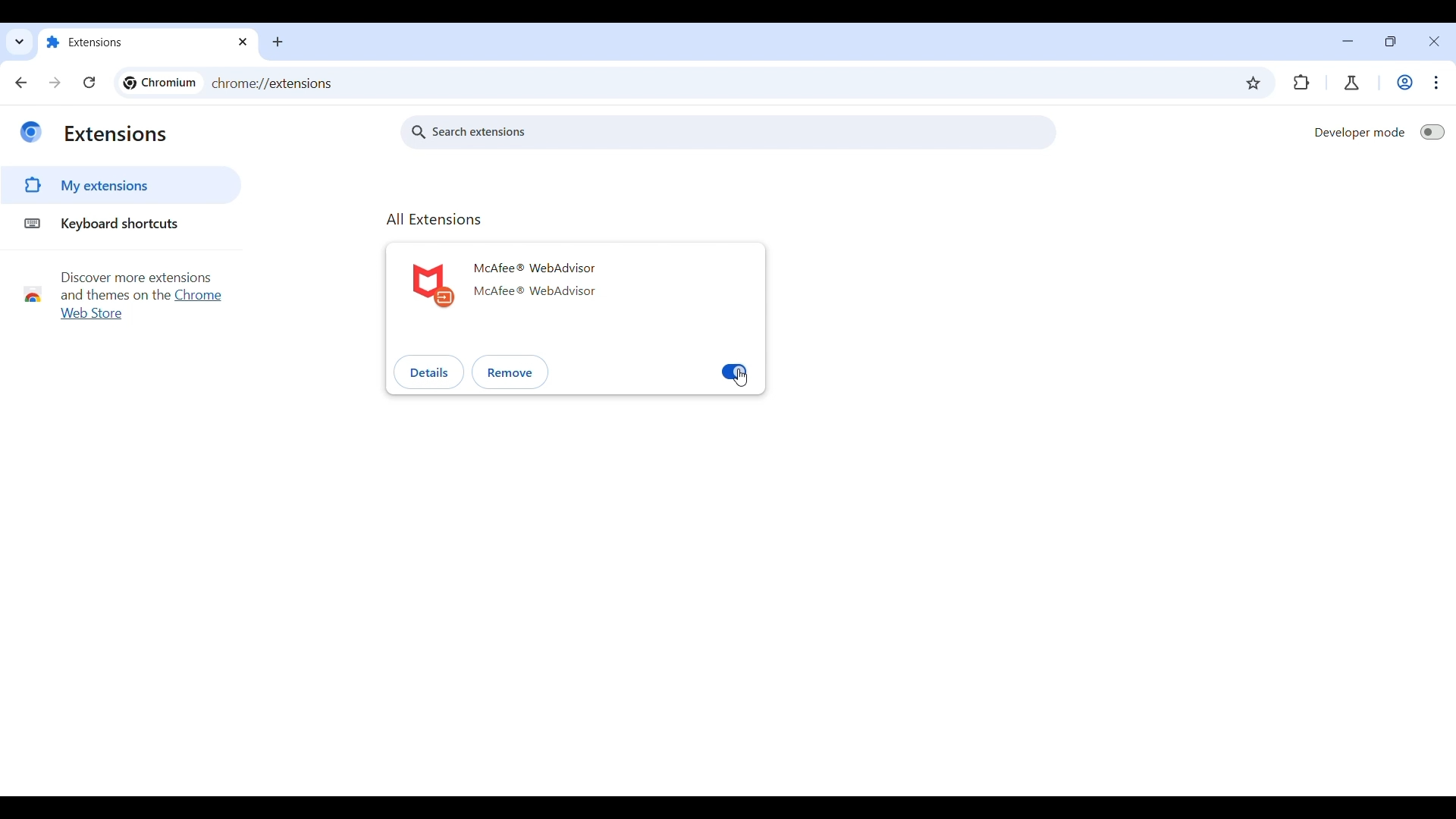  What do you see at coordinates (435, 219) in the screenshot?
I see `All Extensions` at bounding box center [435, 219].